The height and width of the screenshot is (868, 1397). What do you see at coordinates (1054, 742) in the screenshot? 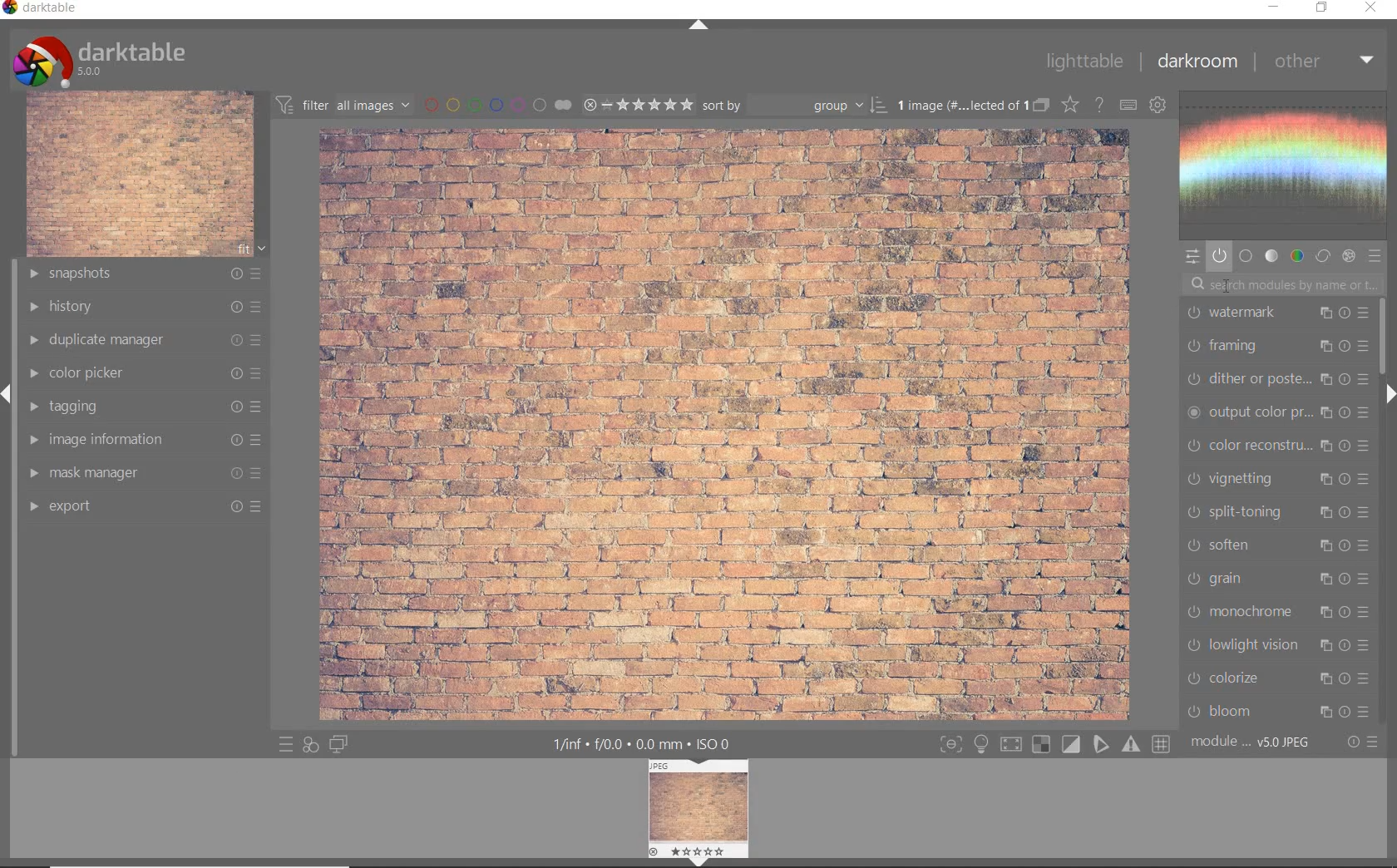
I see `toggle modes` at bounding box center [1054, 742].